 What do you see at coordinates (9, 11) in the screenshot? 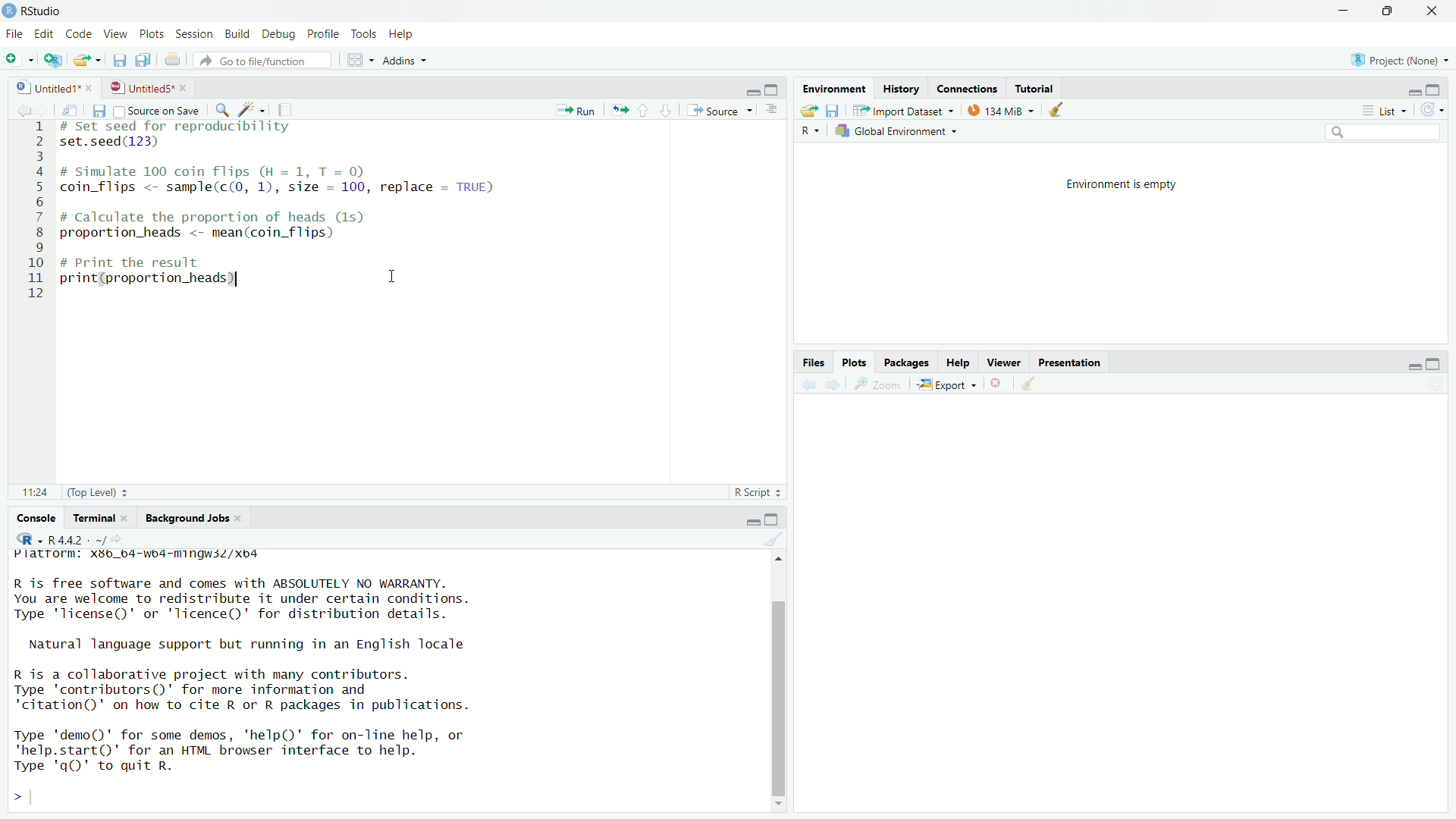
I see `logo` at bounding box center [9, 11].